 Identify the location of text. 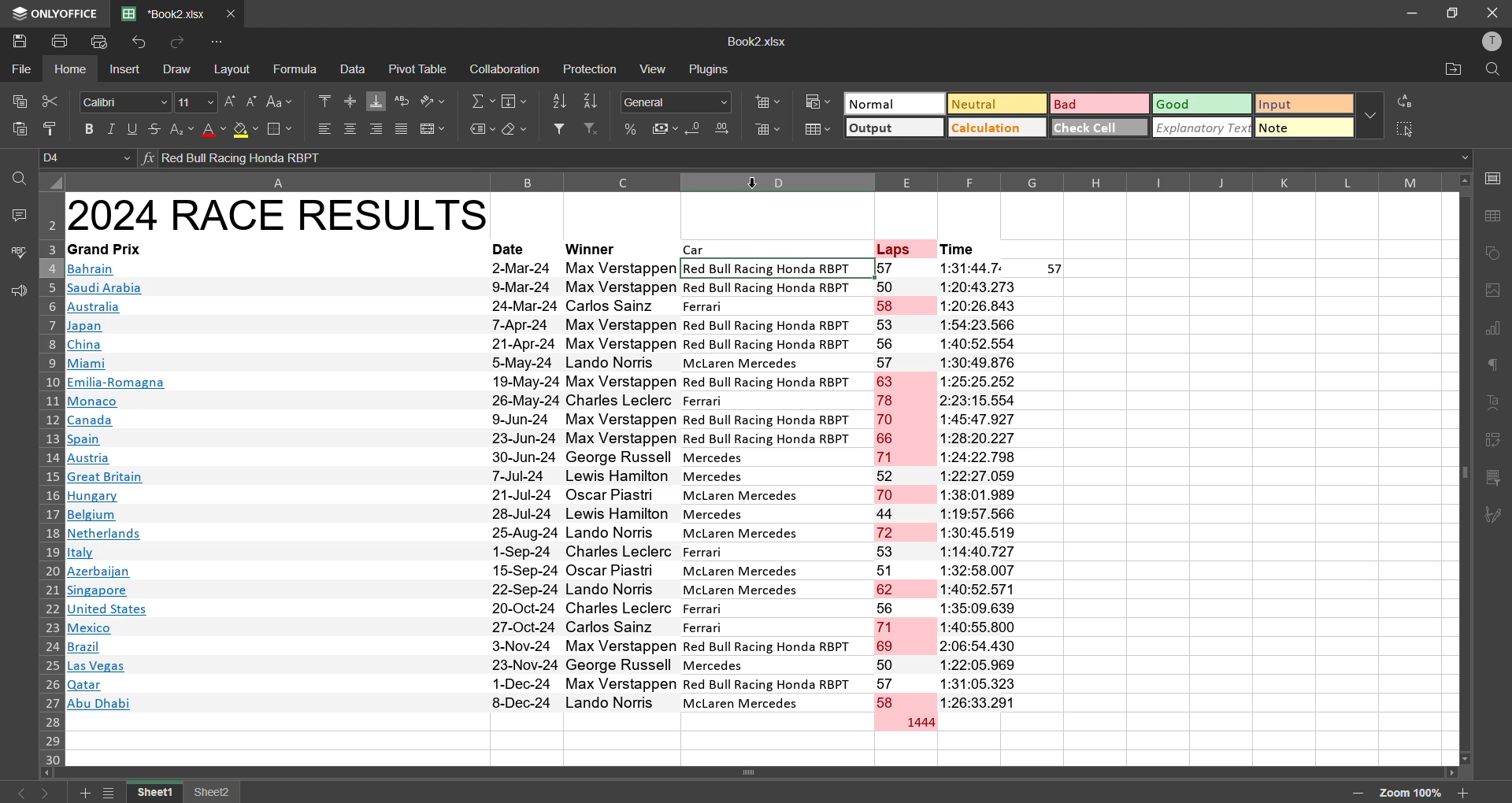
(1495, 404).